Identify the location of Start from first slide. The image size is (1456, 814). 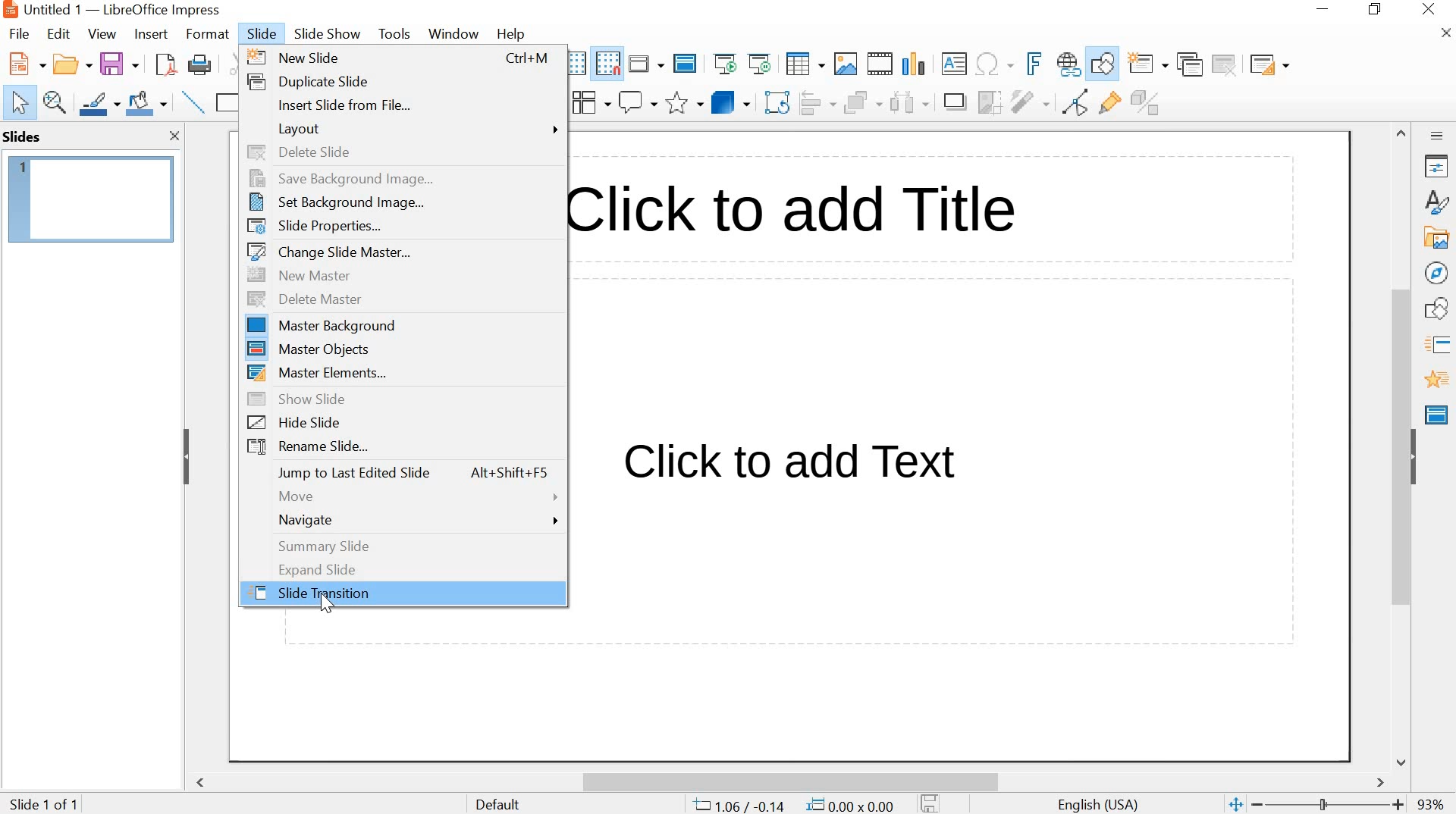
(723, 63).